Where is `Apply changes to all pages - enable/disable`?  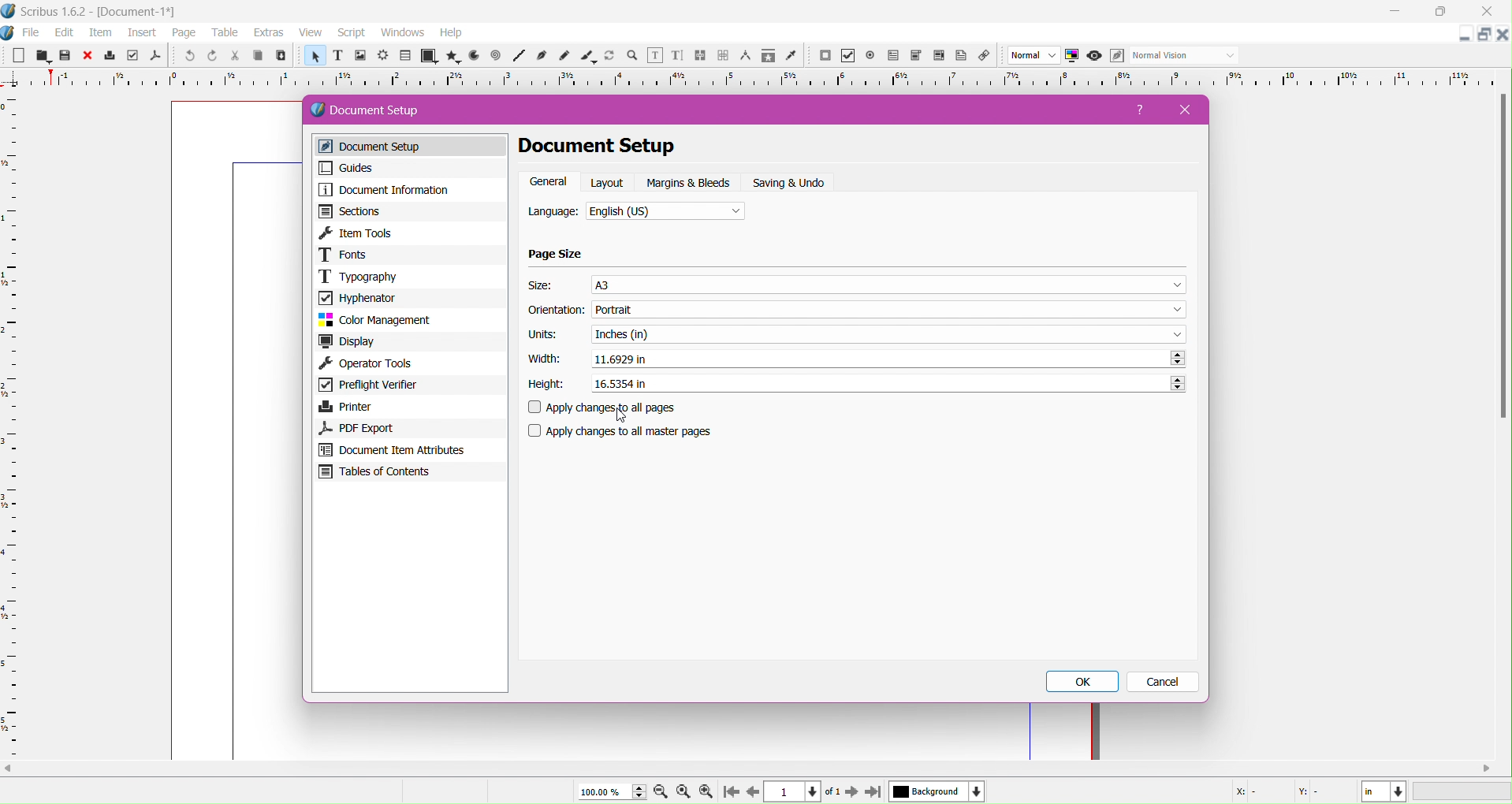 Apply changes to all pages - enable/disable is located at coordinates (609, 408).